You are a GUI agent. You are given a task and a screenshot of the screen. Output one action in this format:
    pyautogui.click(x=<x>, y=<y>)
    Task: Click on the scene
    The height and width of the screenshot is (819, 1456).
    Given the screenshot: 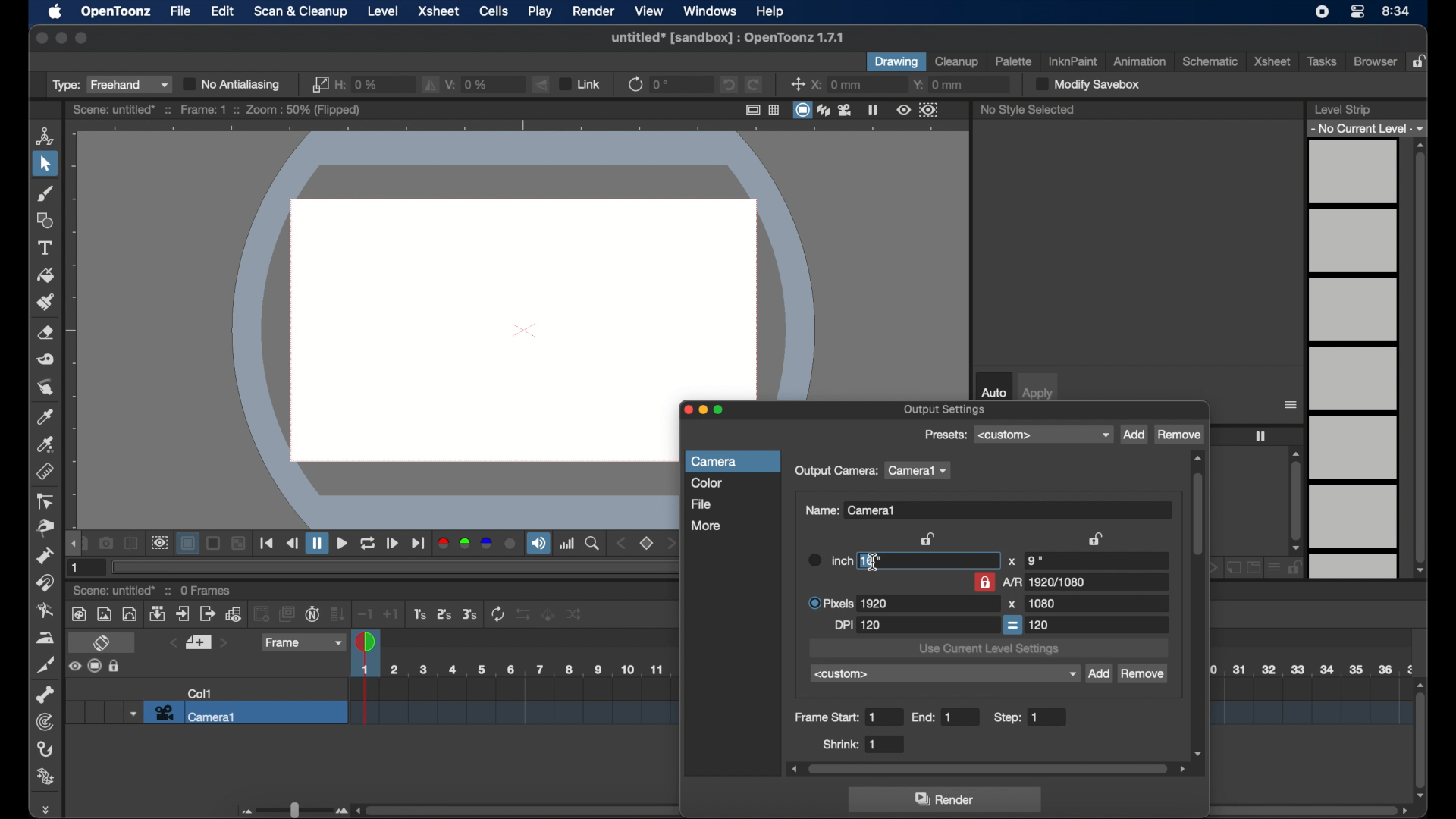 What is the action you would take?
    pyautogui.click(x=511, y=703)
    